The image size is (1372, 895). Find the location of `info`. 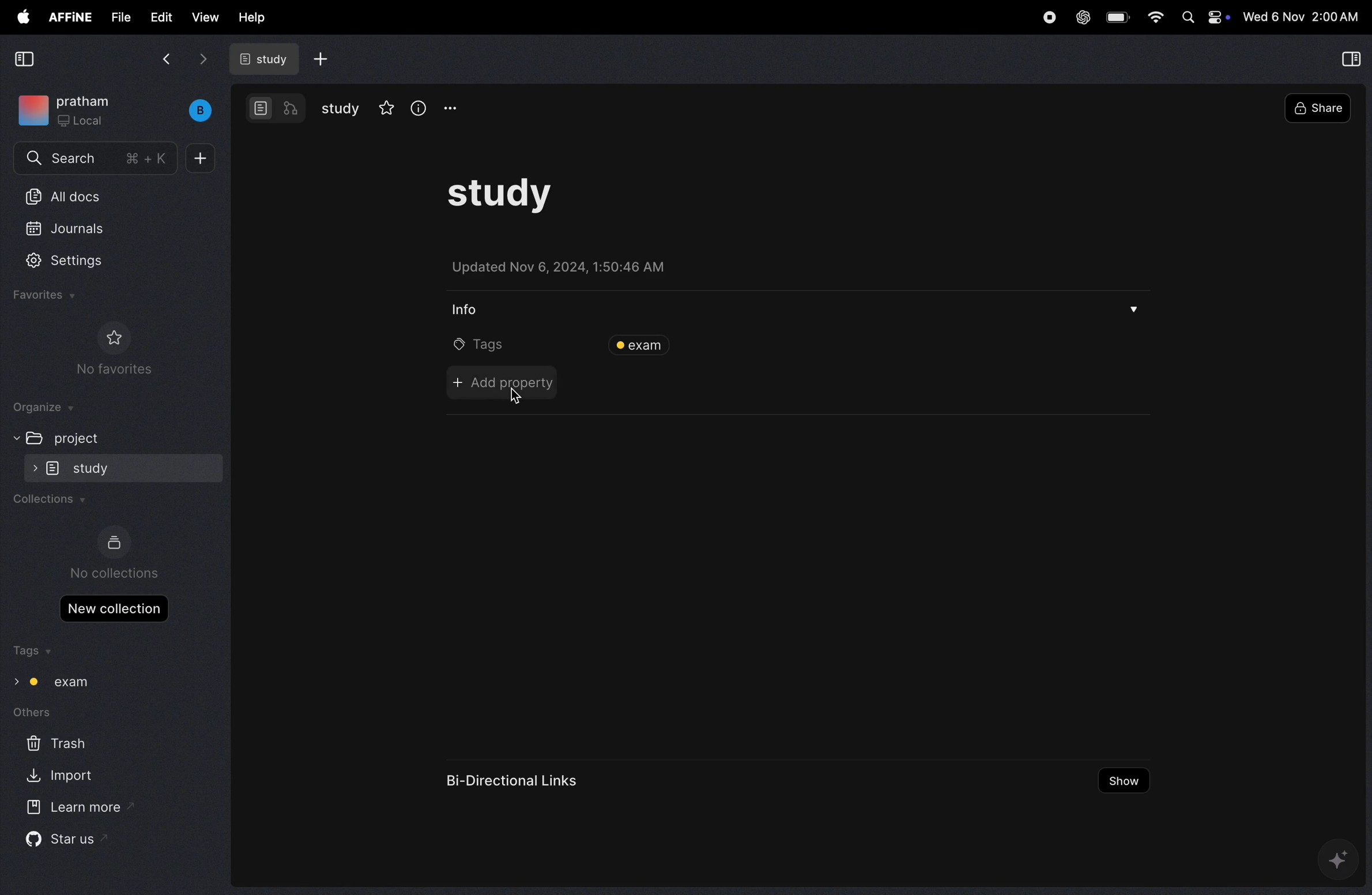

info is located at coordinates (481, 310).